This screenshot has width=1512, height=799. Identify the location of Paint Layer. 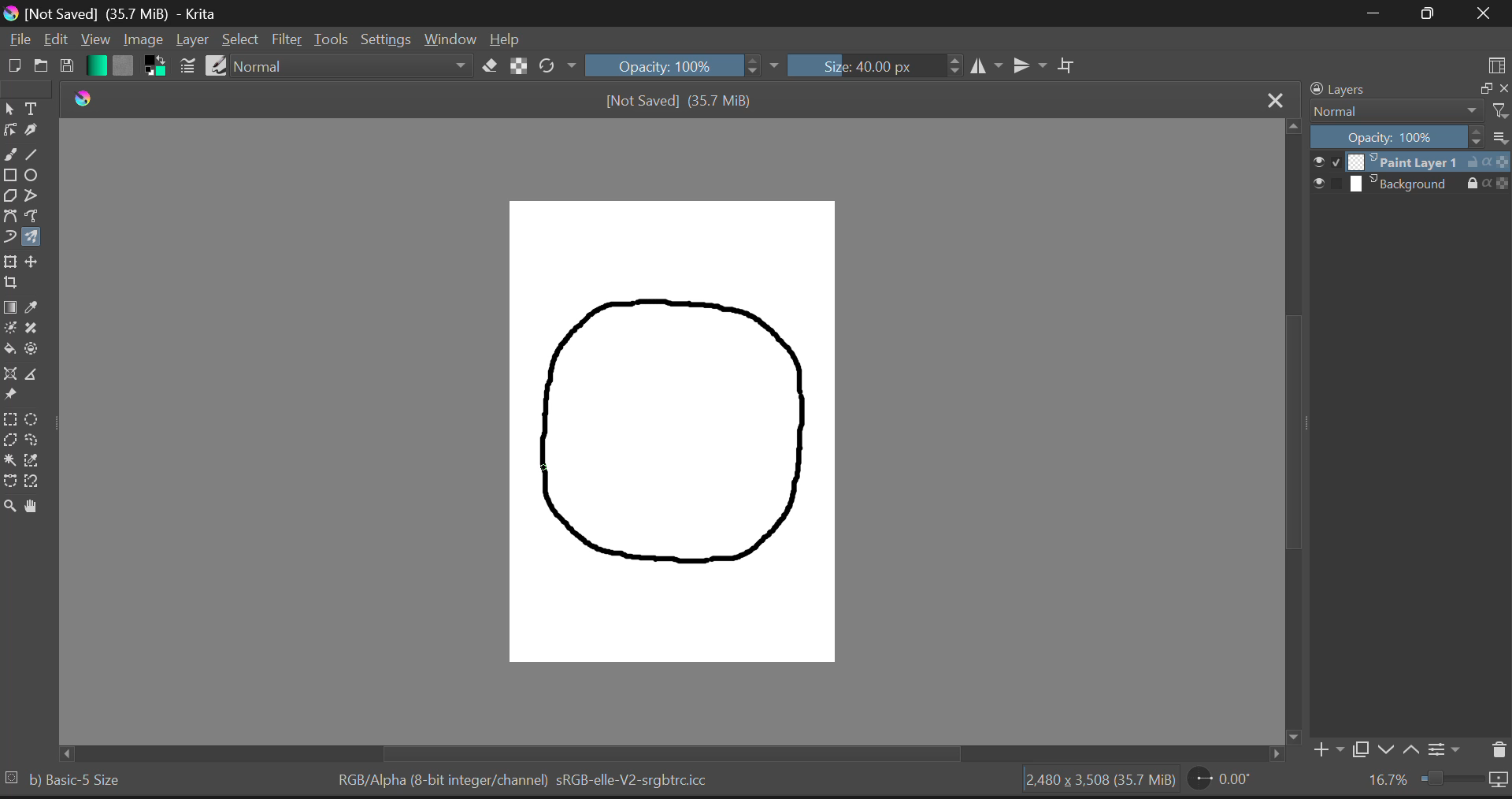
(1411, 163).